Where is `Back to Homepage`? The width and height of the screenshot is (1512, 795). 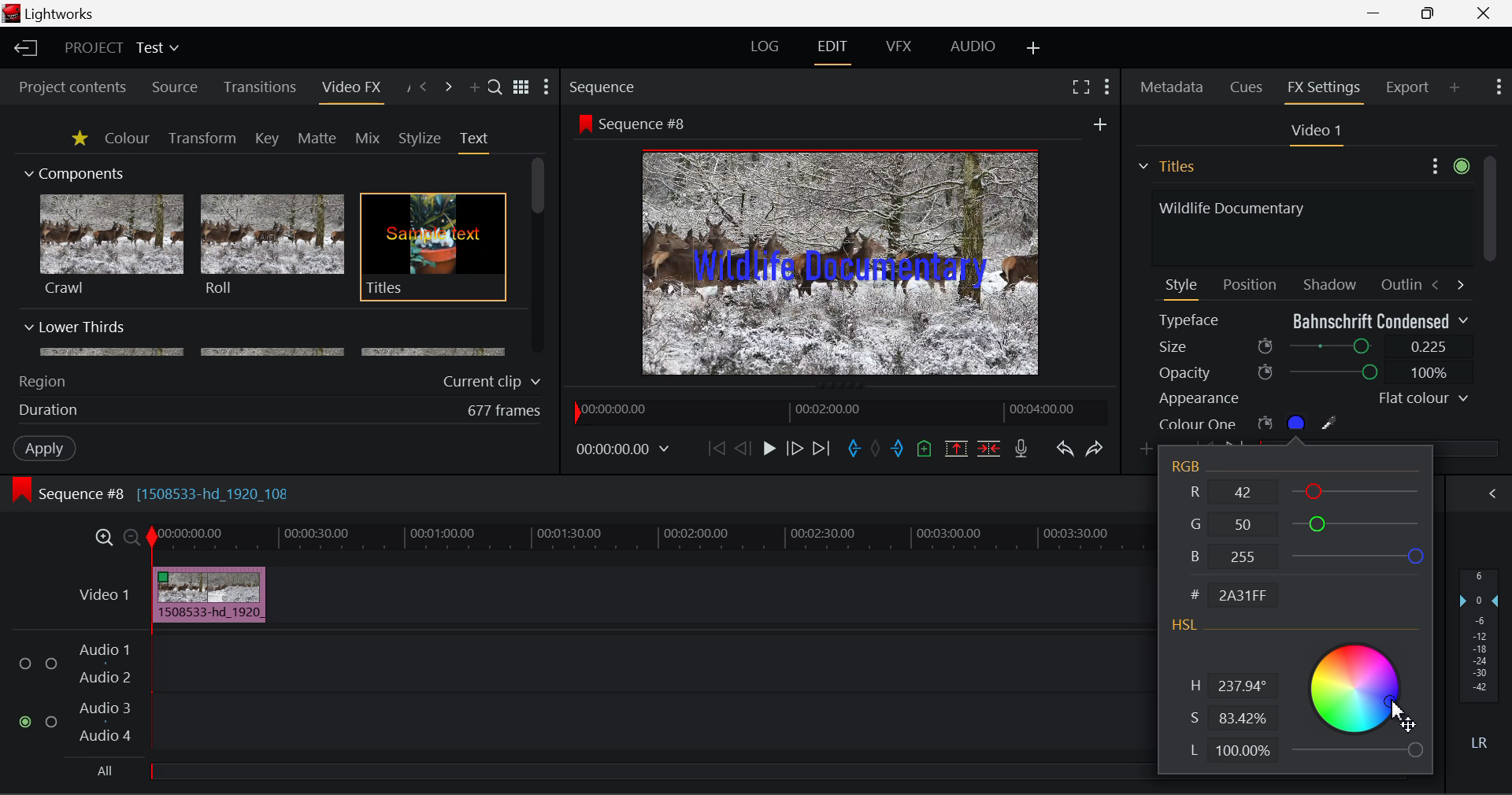 Back to Homepage is located at coordinates (24, 49).